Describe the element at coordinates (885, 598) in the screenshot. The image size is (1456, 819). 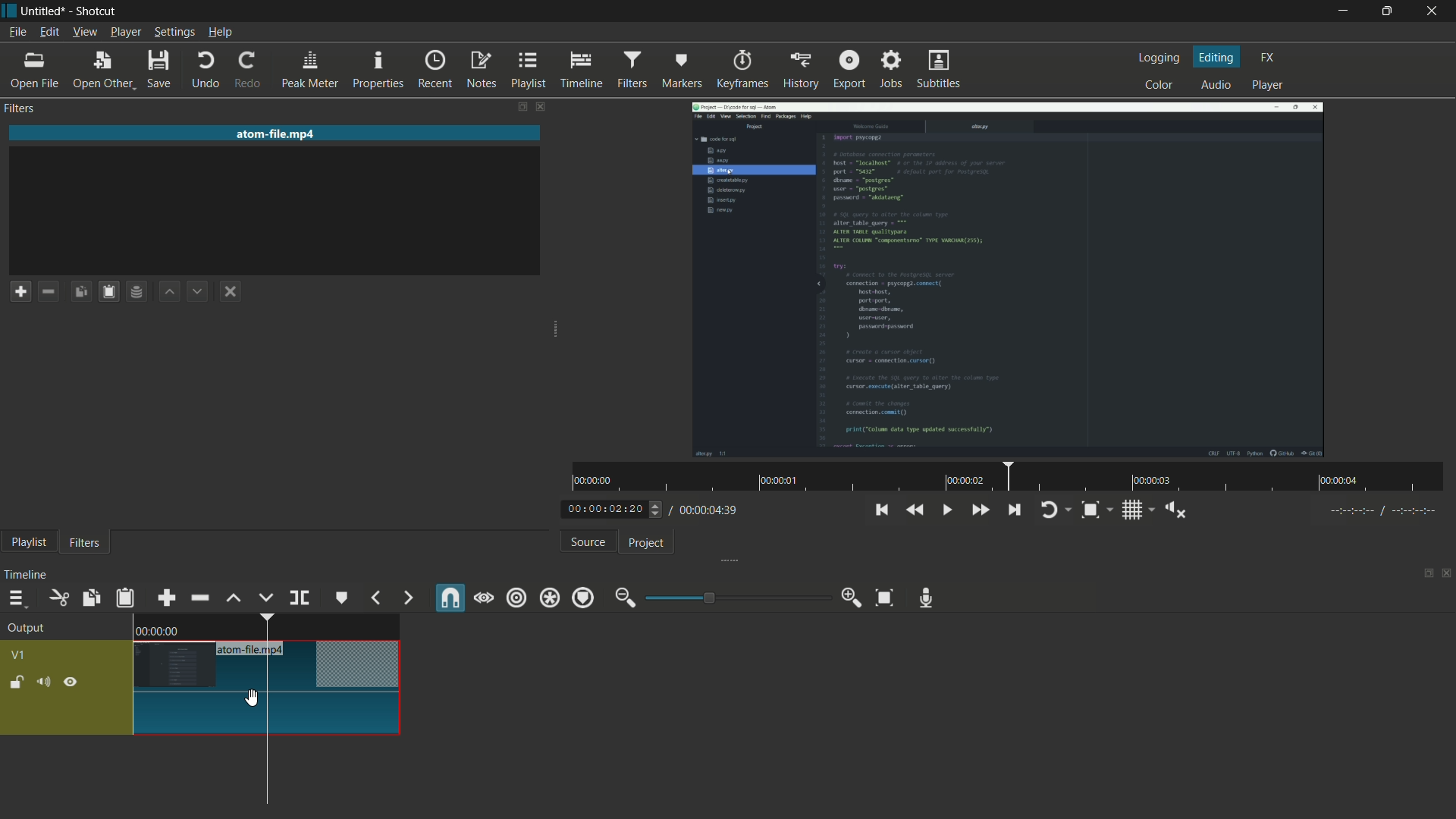
I see `zoom timeline to fit` at that location.